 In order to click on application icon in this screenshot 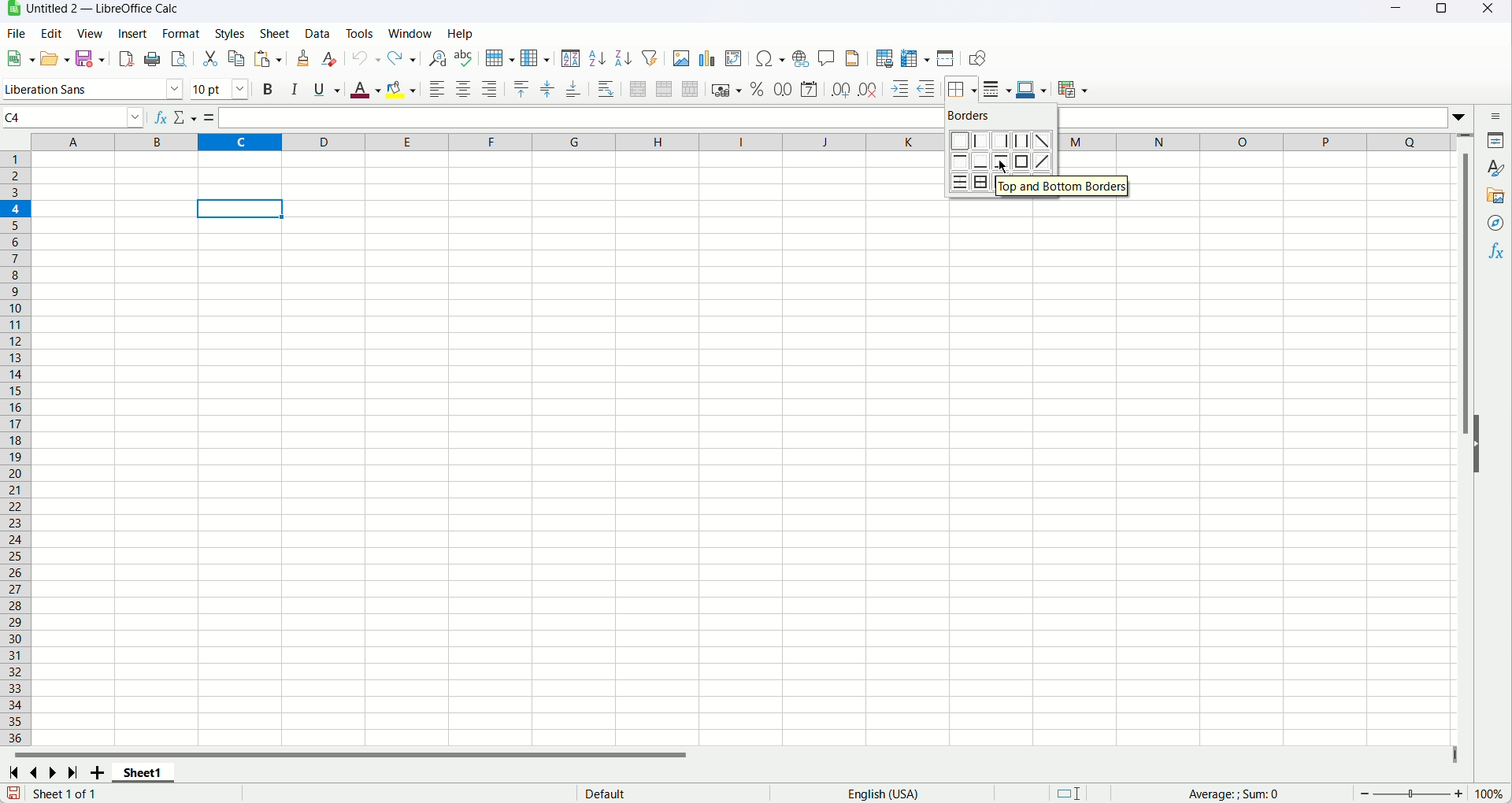, I will do `click(13, 9)`.